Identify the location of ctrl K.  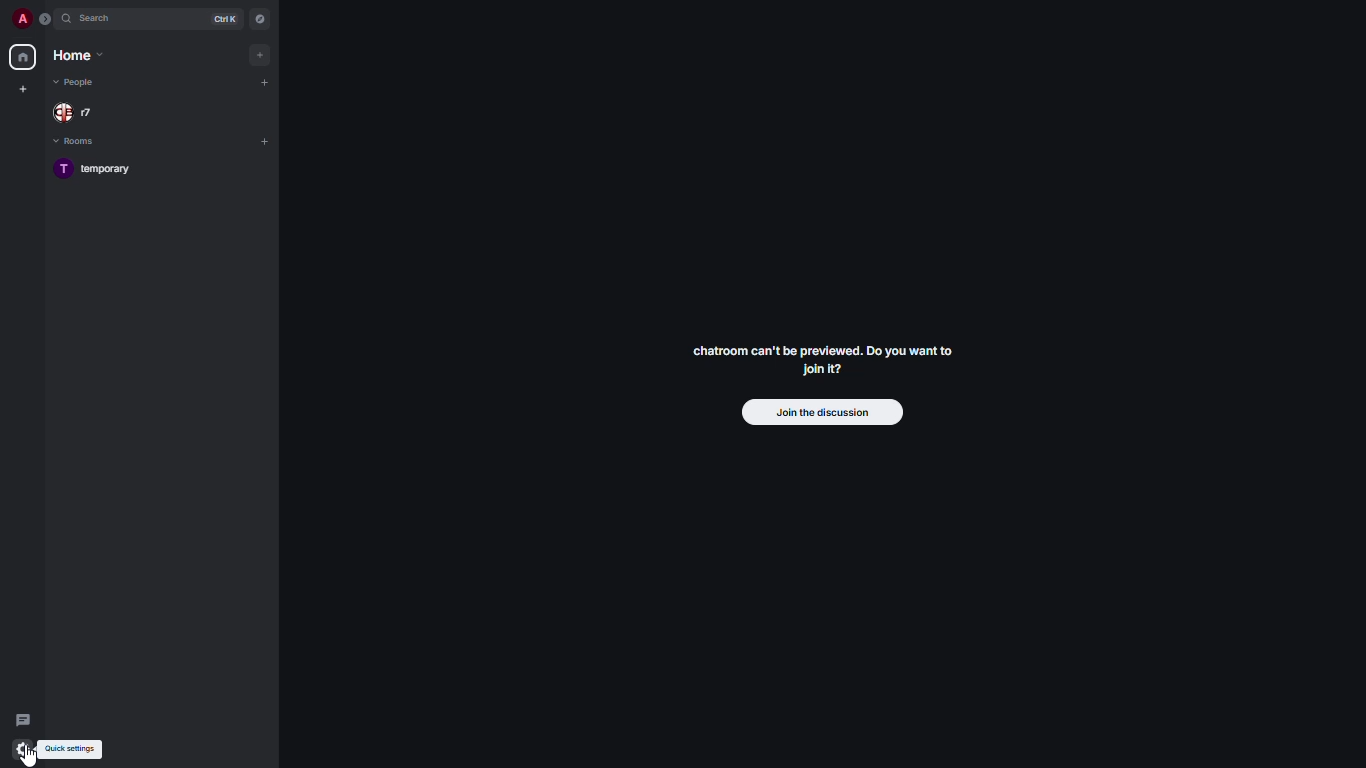
(224, 19).